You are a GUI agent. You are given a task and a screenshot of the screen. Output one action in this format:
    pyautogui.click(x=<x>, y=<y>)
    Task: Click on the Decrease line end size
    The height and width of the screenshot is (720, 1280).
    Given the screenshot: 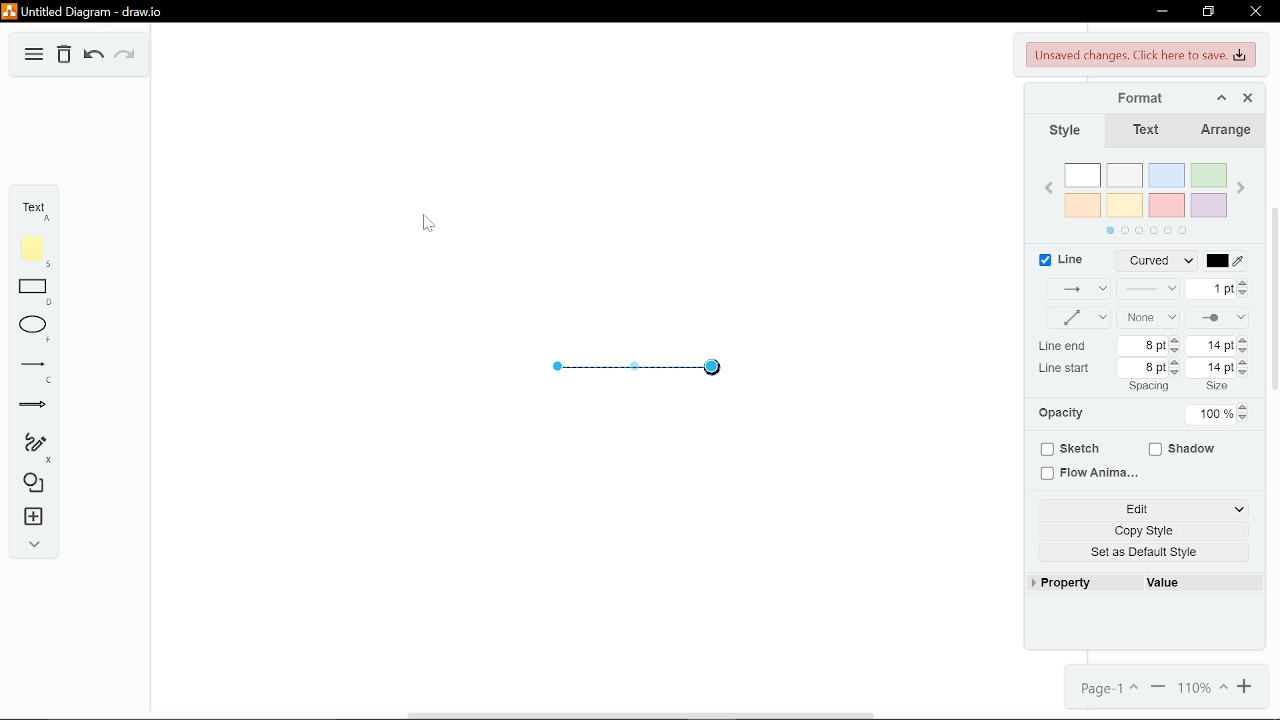 What is the action you would take?
    pyautogui.click(x=1245, y=350)
    